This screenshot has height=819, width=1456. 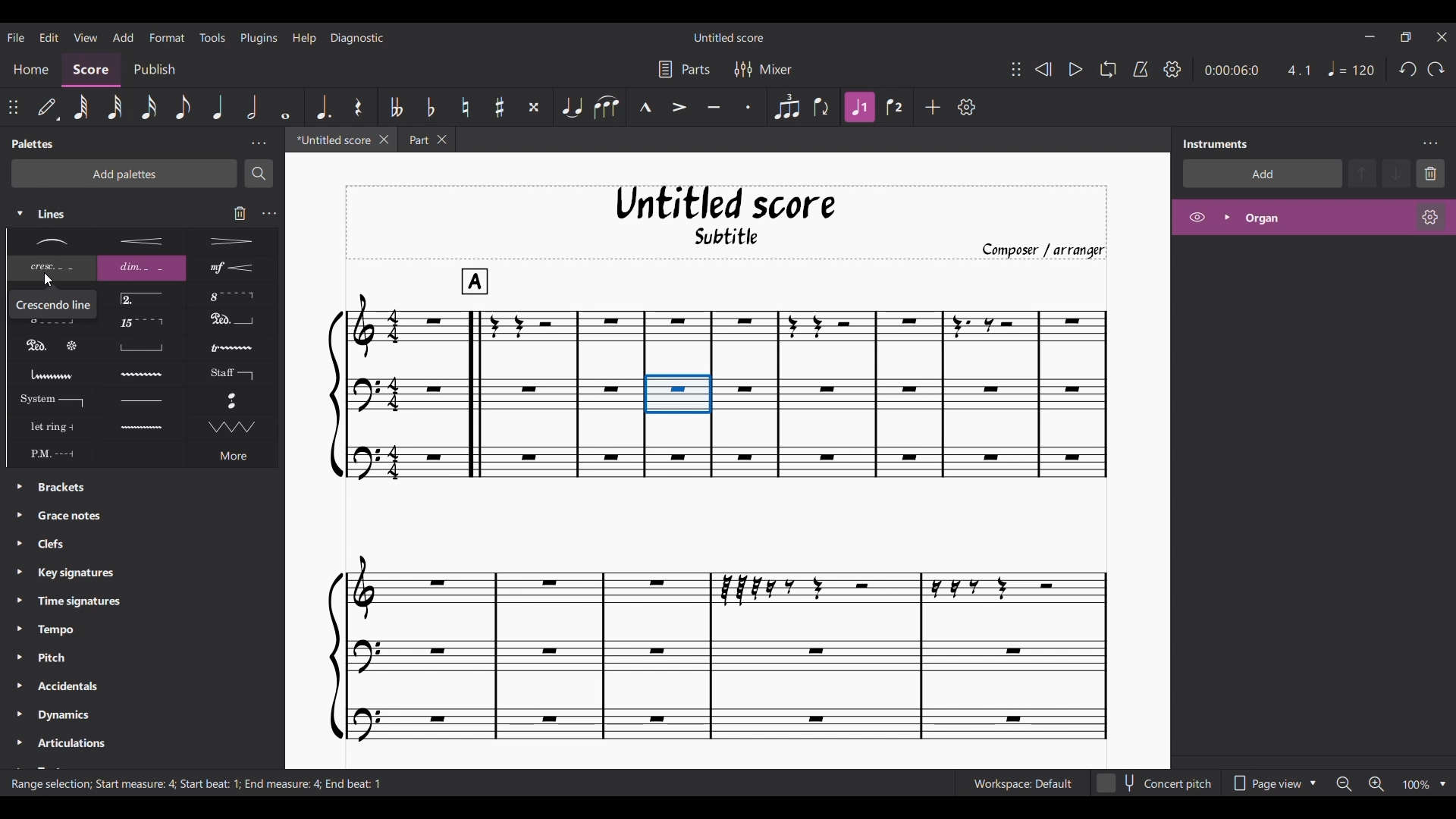 What do you see at coordinates (86, 36) in the screenshot?
I see `View menu` at bounding box center [86, 36].